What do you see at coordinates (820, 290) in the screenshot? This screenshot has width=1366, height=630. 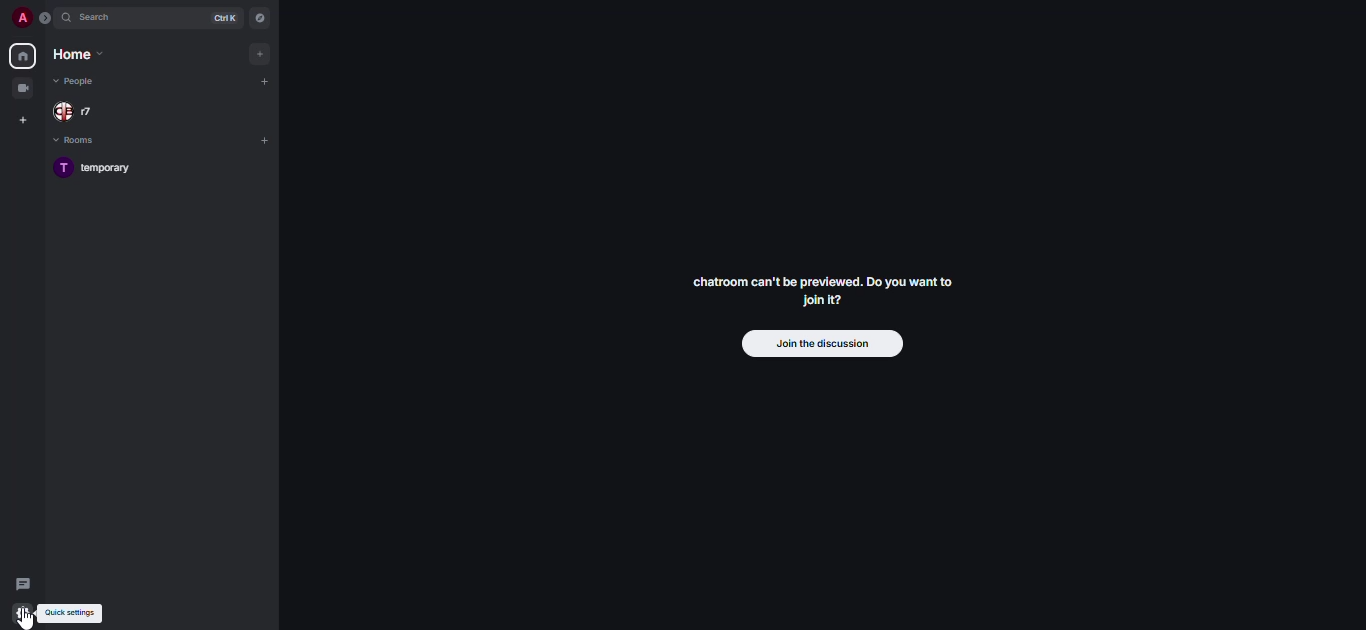 I see `chatroom can't be previewed. Join it?` at bounding box center [820, 290].